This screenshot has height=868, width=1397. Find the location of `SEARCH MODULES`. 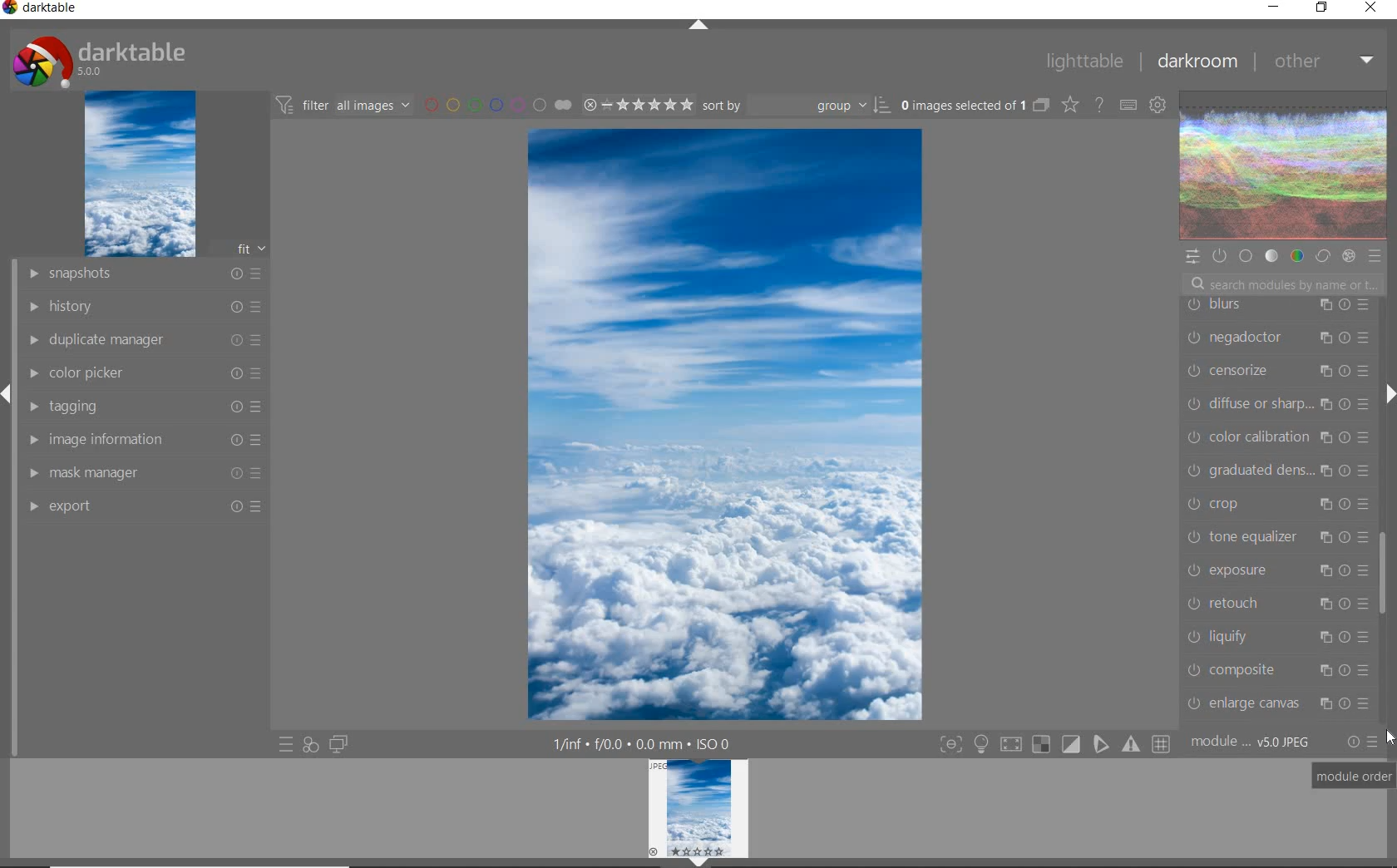

SEARCH MODULES is located at coordinates (1283, 284).